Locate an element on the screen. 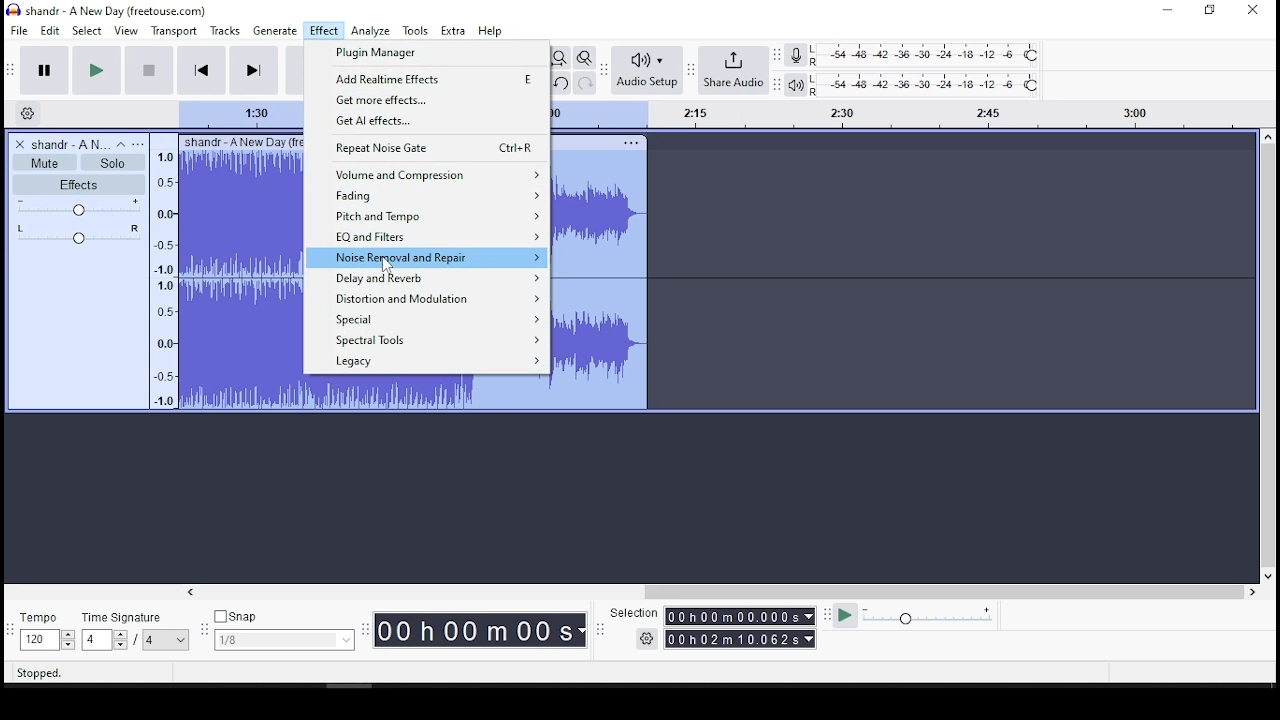  play is located at coordinates (97, 71).